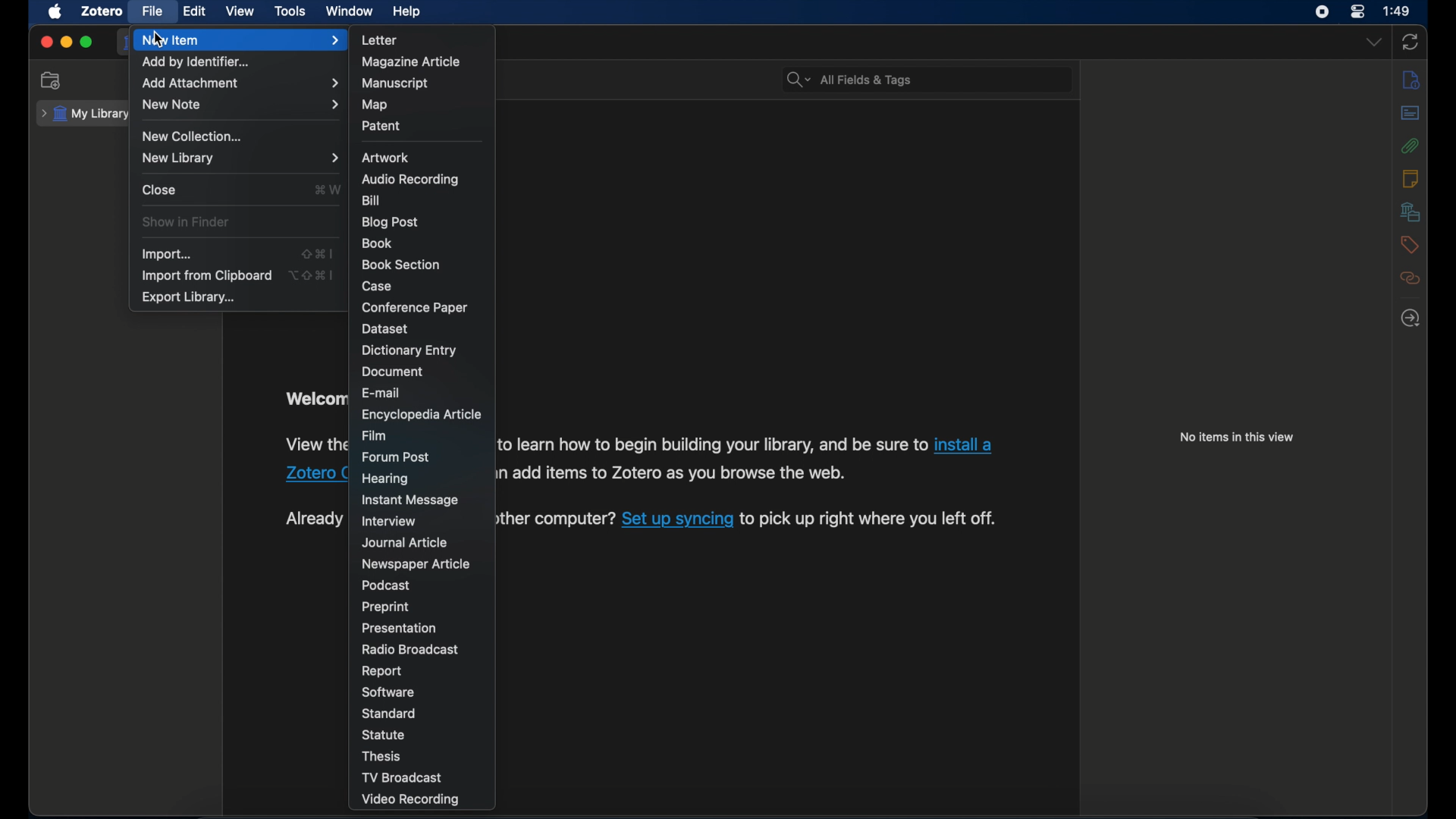  What do you see at coordinates (381, 671) in the screenshot?
I see `report` at bounding box center [381, 671].